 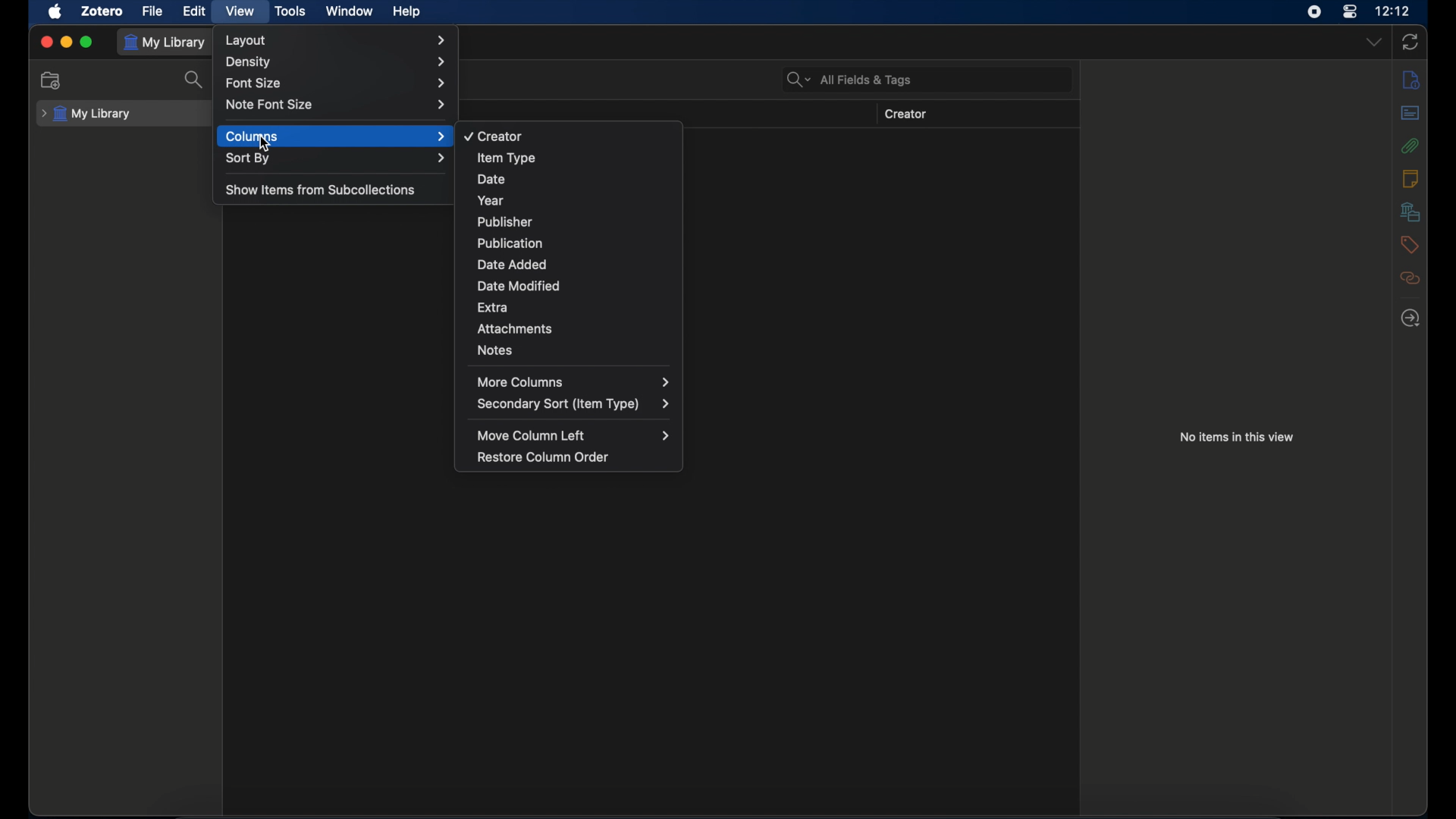 What do you see at coordinates (335, 83) in the screenshot?
I see `font size` at bounding box center [335, 83].